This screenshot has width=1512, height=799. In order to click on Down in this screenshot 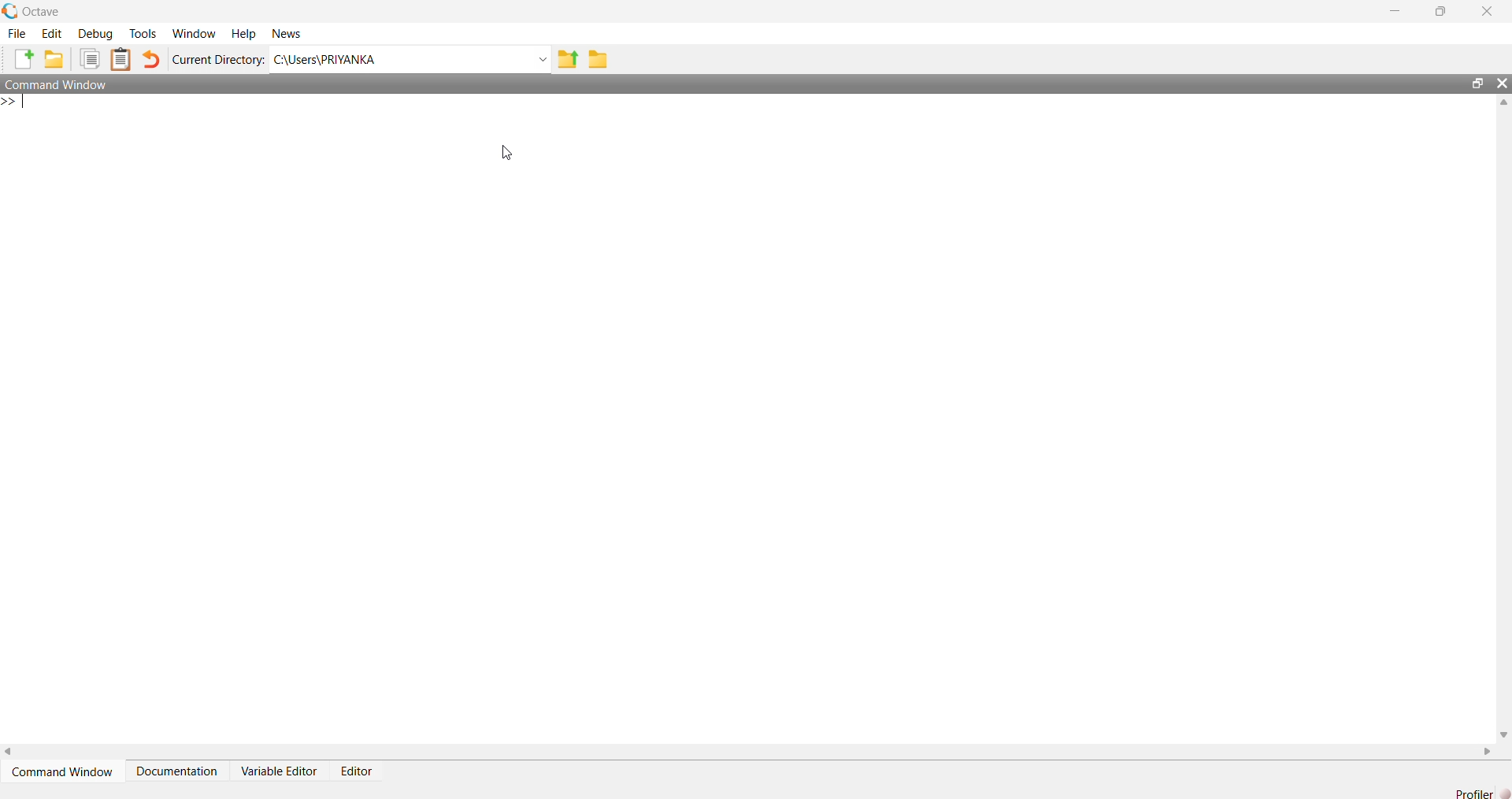, I will do `click(1503, 728)`.